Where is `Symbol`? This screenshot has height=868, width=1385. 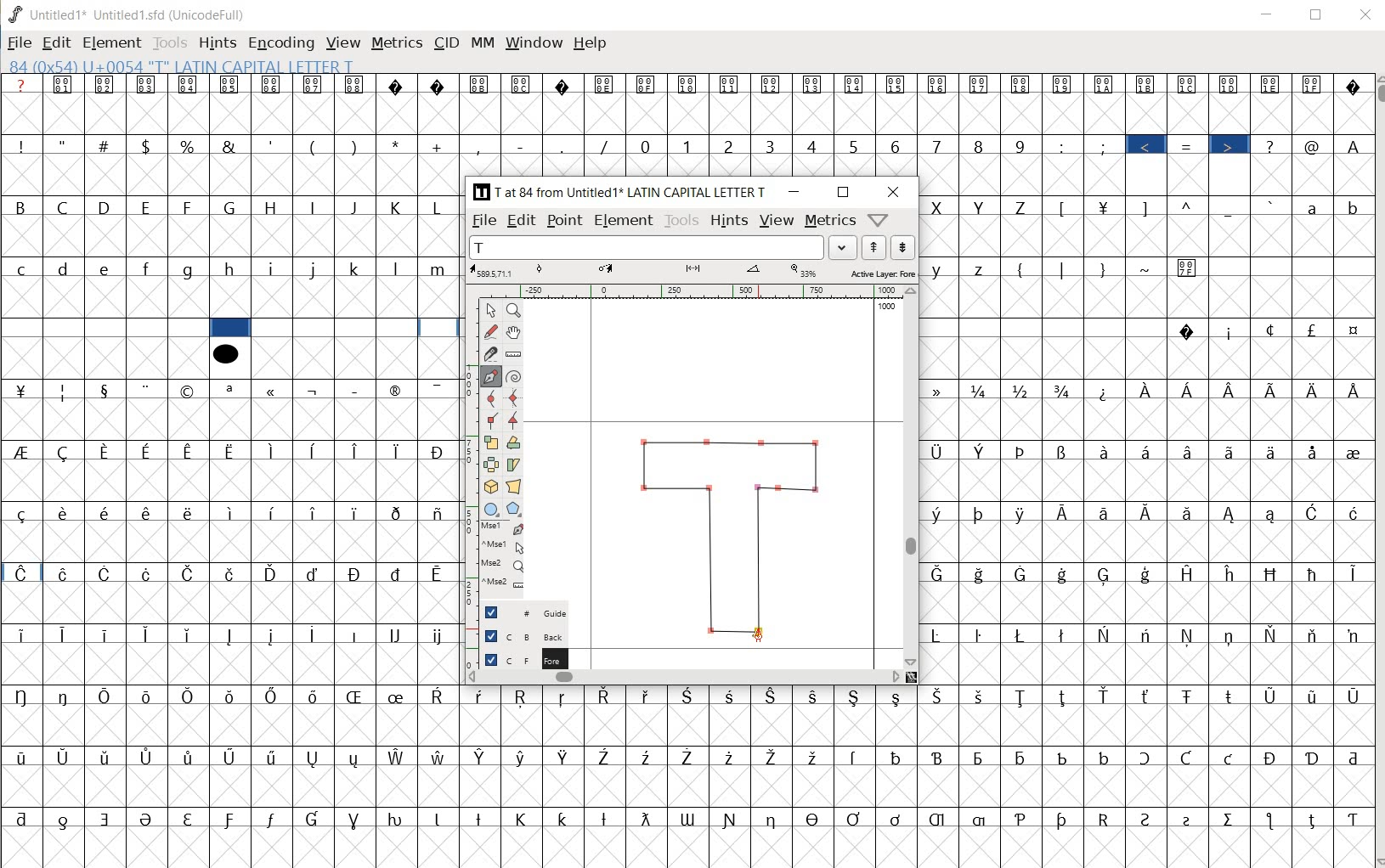
Symbol is located at coordinates (1189, 695).